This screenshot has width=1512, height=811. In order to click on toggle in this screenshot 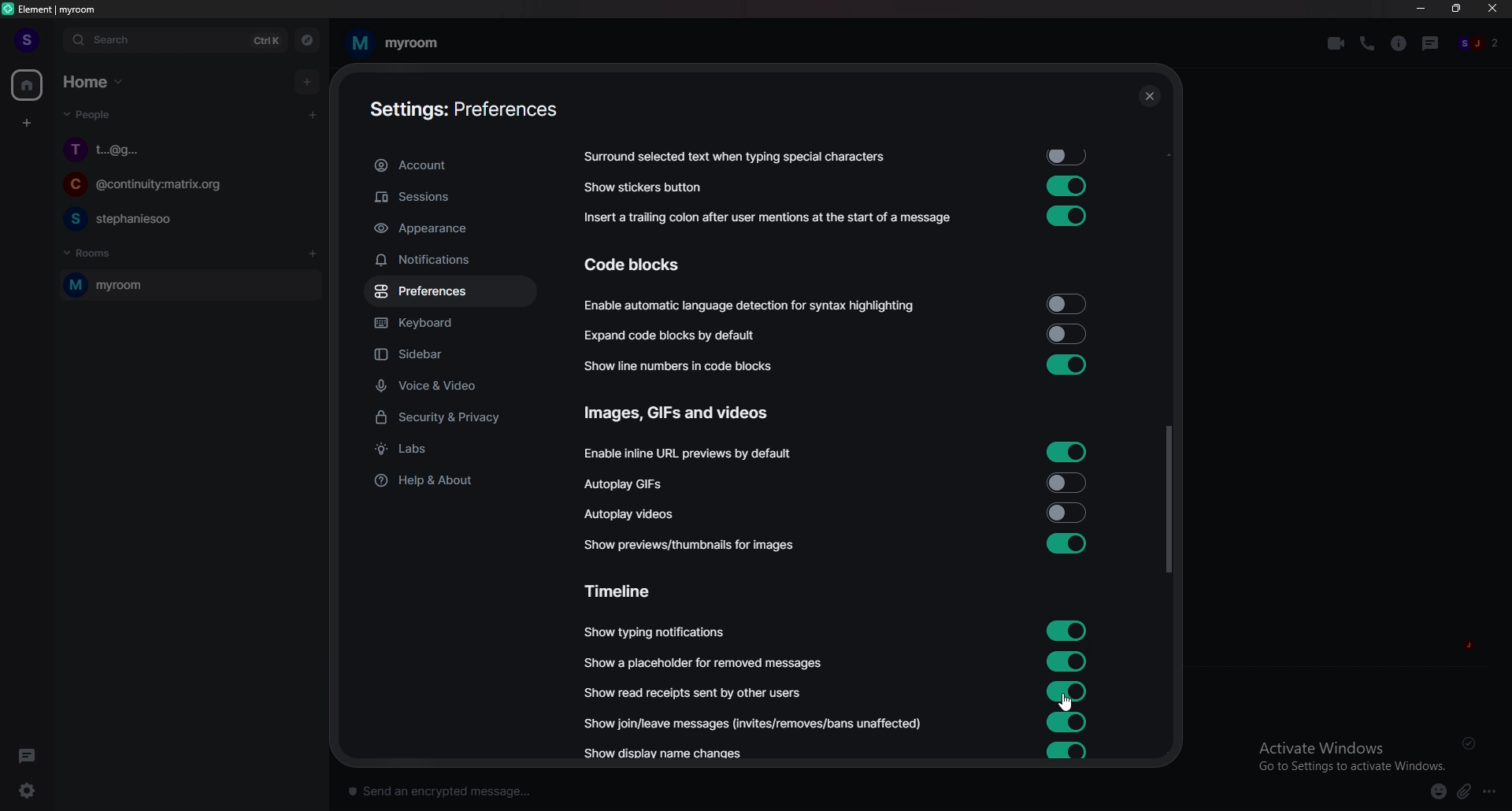, I will do `click(1068, 659)`.